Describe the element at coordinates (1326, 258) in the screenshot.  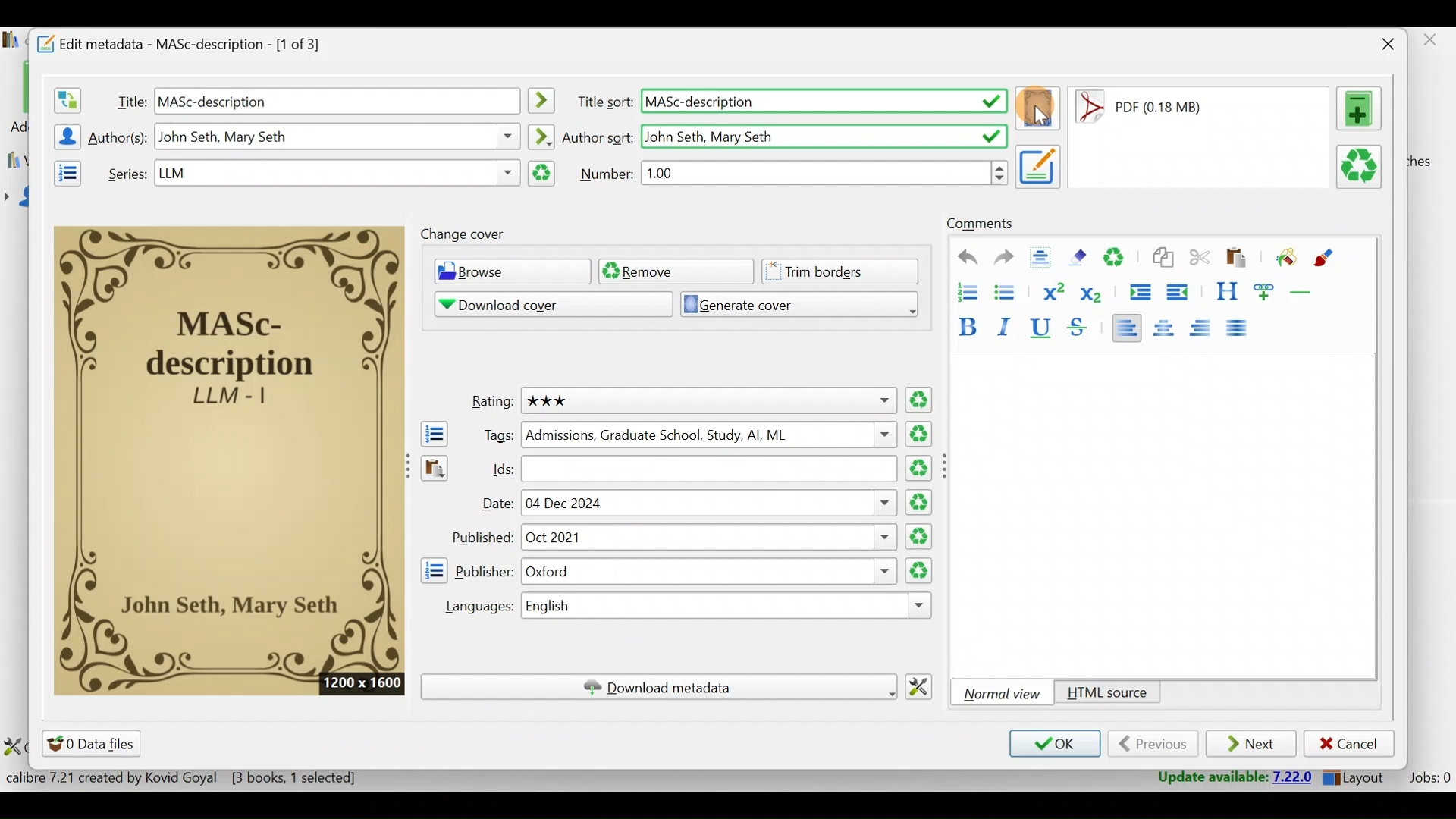
I see `Foreground colour` at that location.